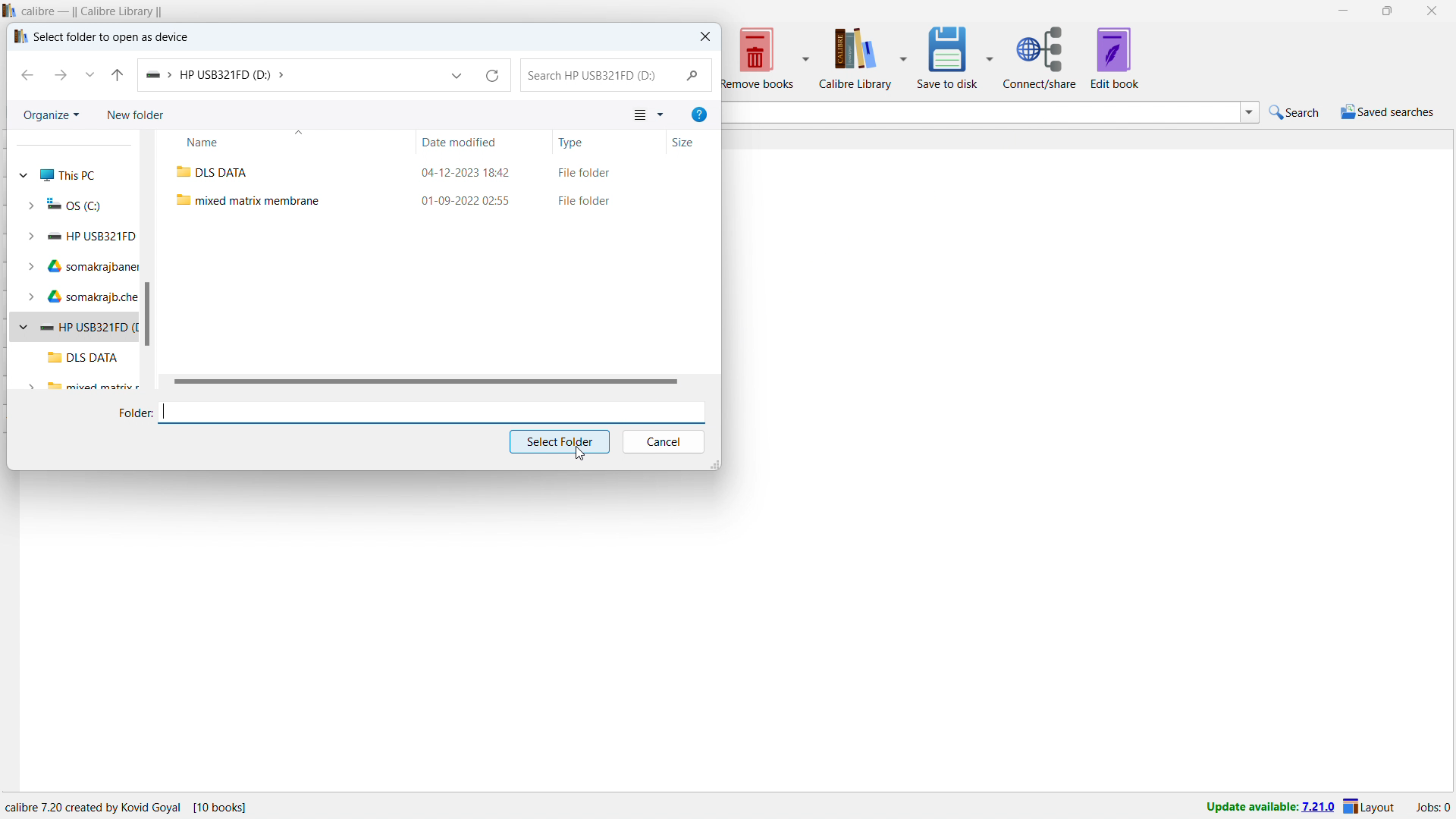 This screenshot has height=819, width=1456. What do you see at coordinates (760, 57) in the screenshot?
I see `remove books` at bounding box center [760, 57].